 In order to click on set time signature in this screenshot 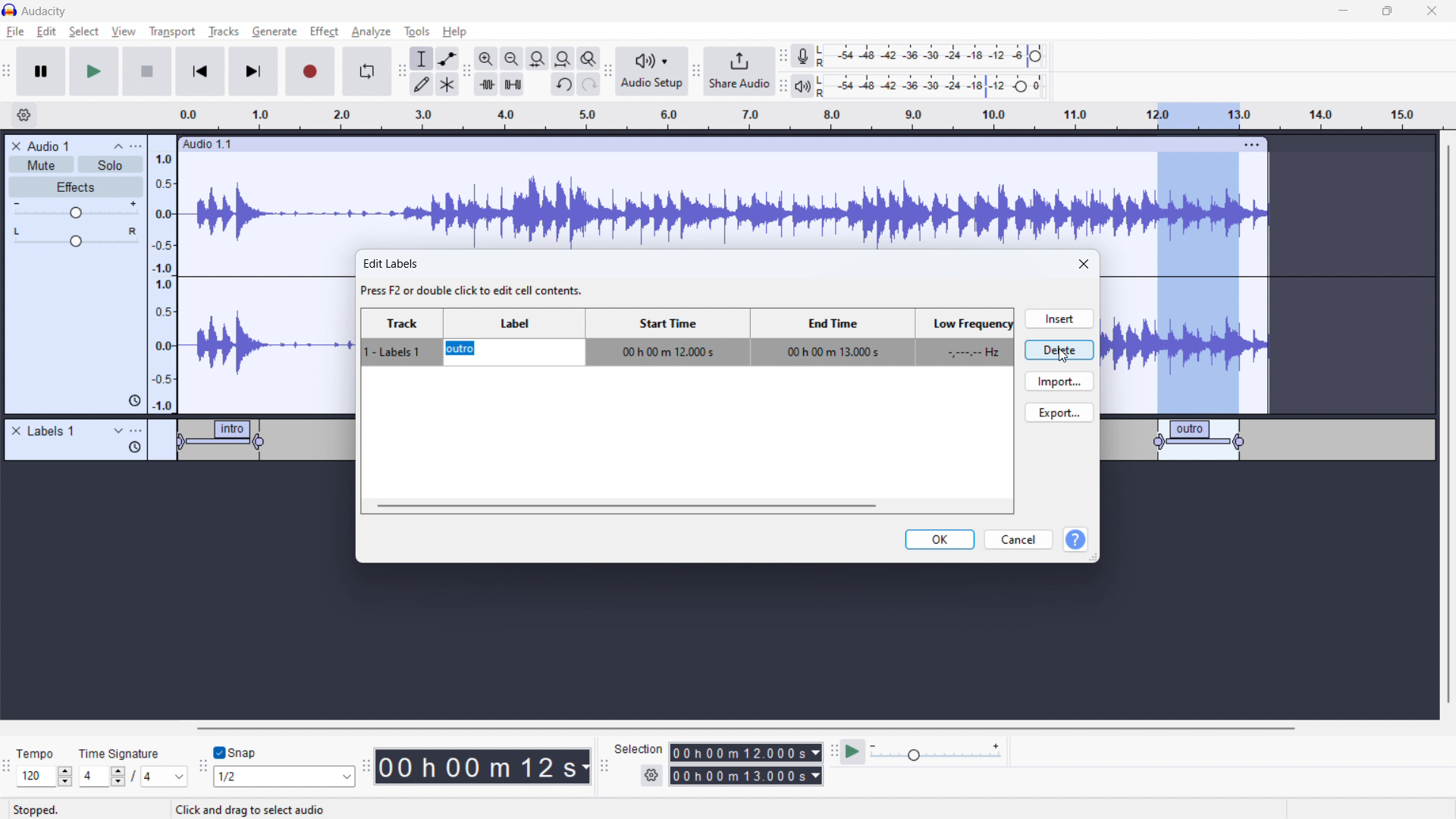, I will do `click(134, 776)`.